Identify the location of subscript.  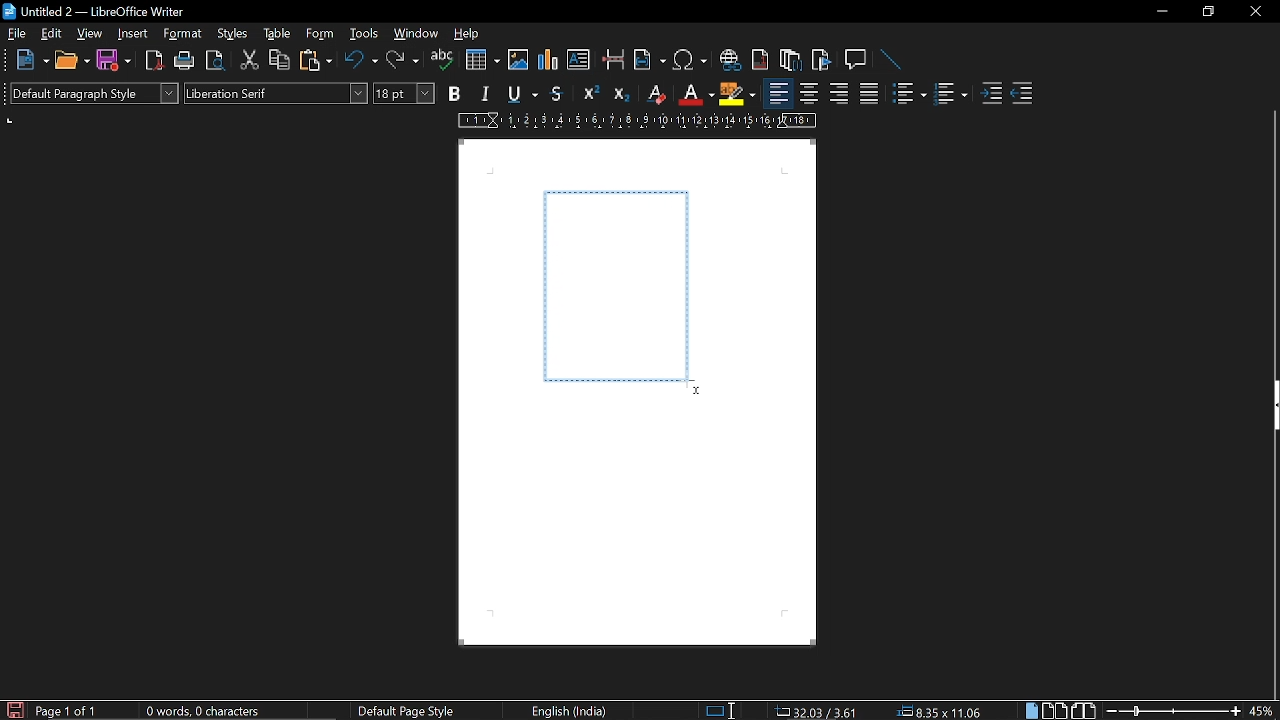
(622, 94).